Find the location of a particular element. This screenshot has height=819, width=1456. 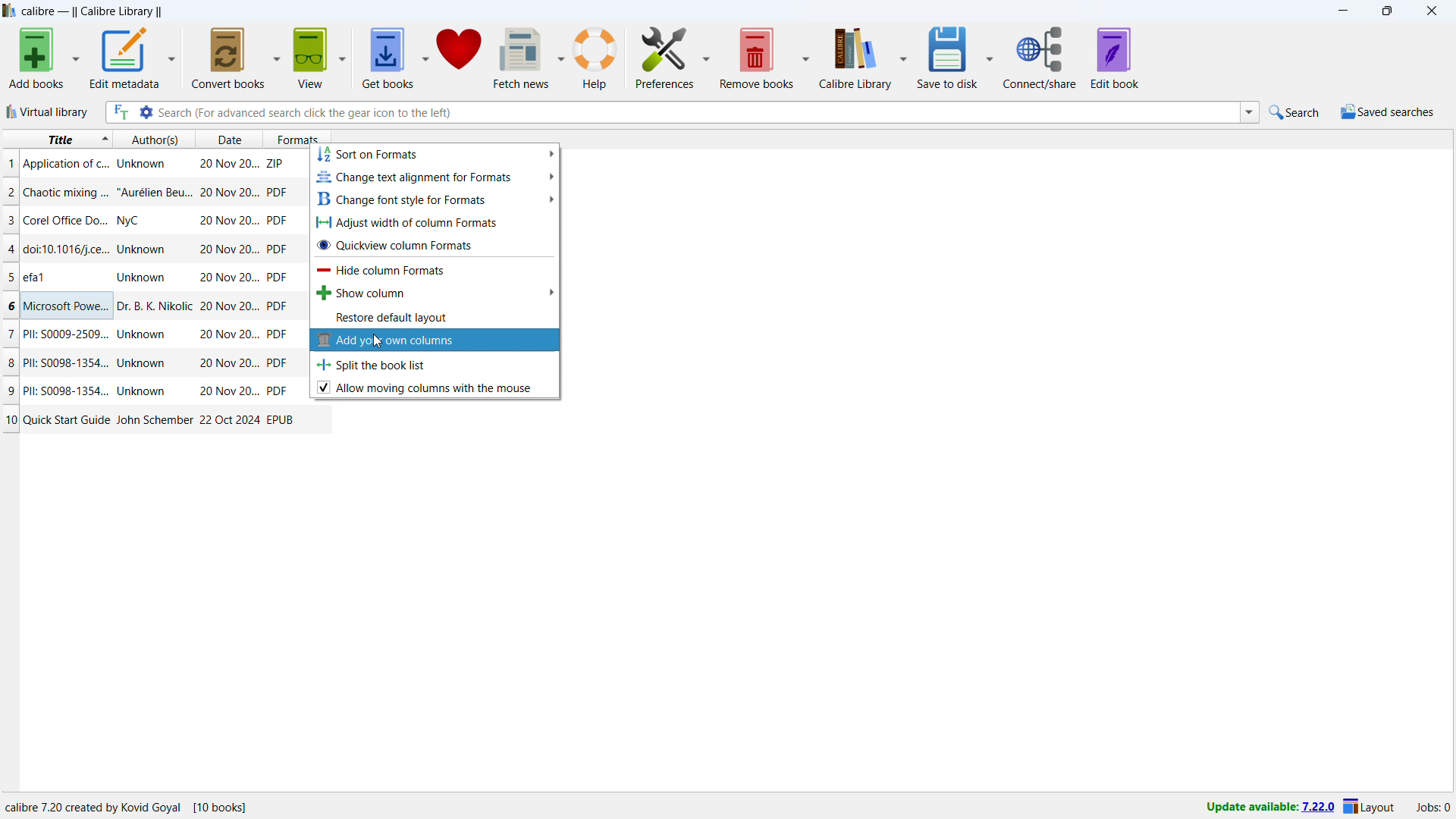

view options is located at coordinates (343, 57).